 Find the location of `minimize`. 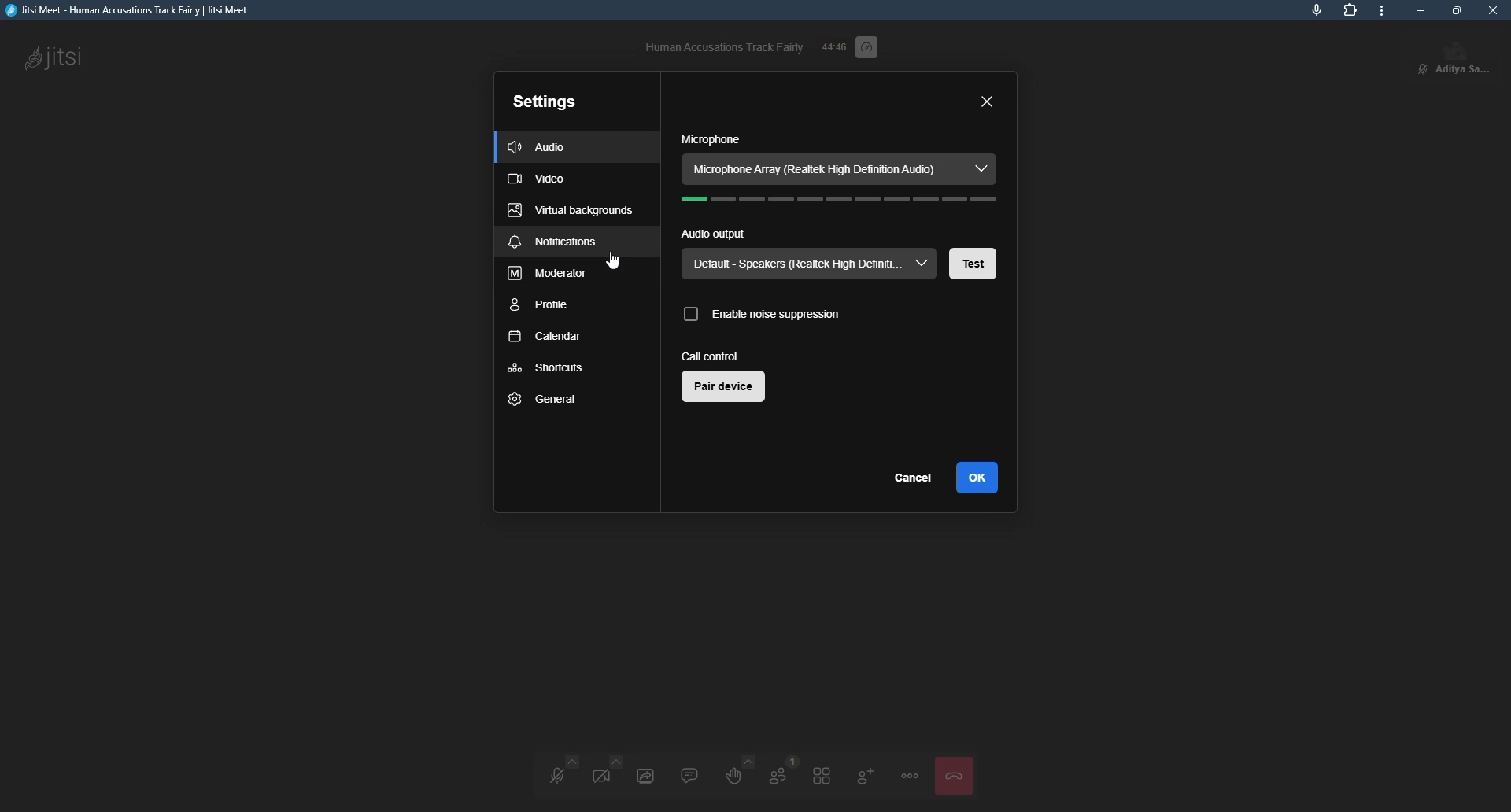

minimize is located at coordinates (1420, 10).